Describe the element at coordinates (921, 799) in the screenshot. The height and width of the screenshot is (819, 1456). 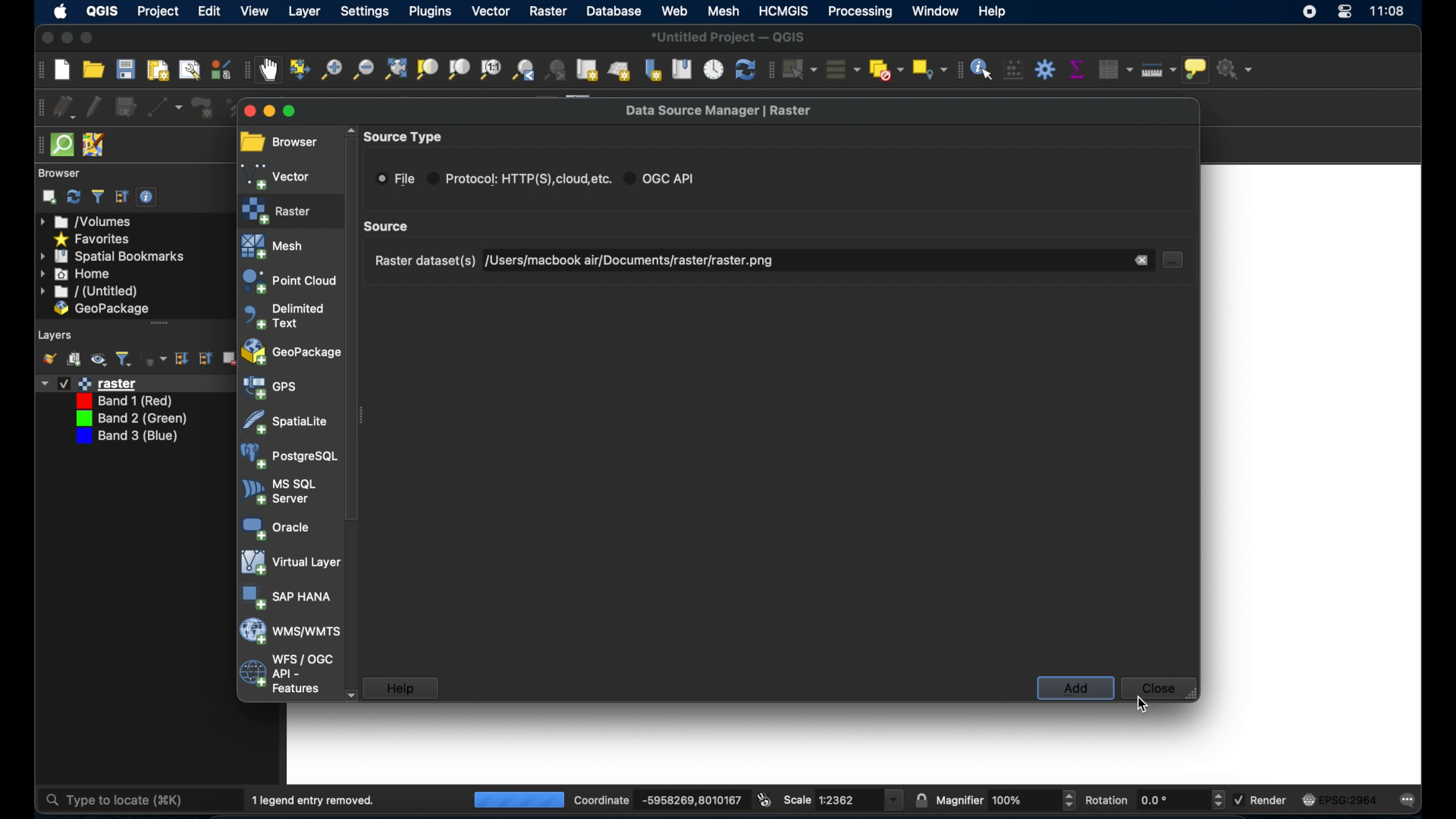
I see `lock scale` at that location.